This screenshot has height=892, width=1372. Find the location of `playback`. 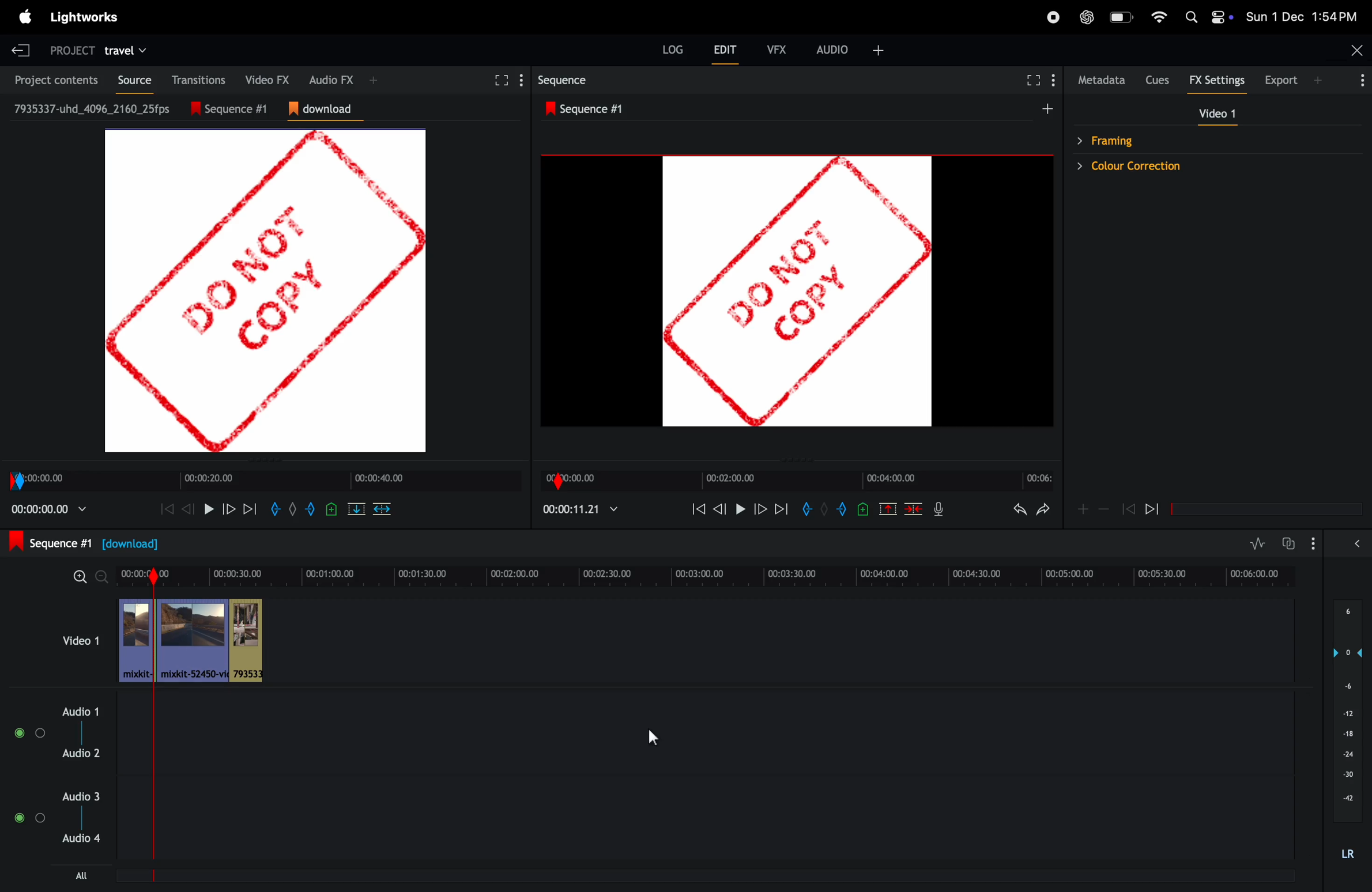

playback is located at coordinates (49, 509).